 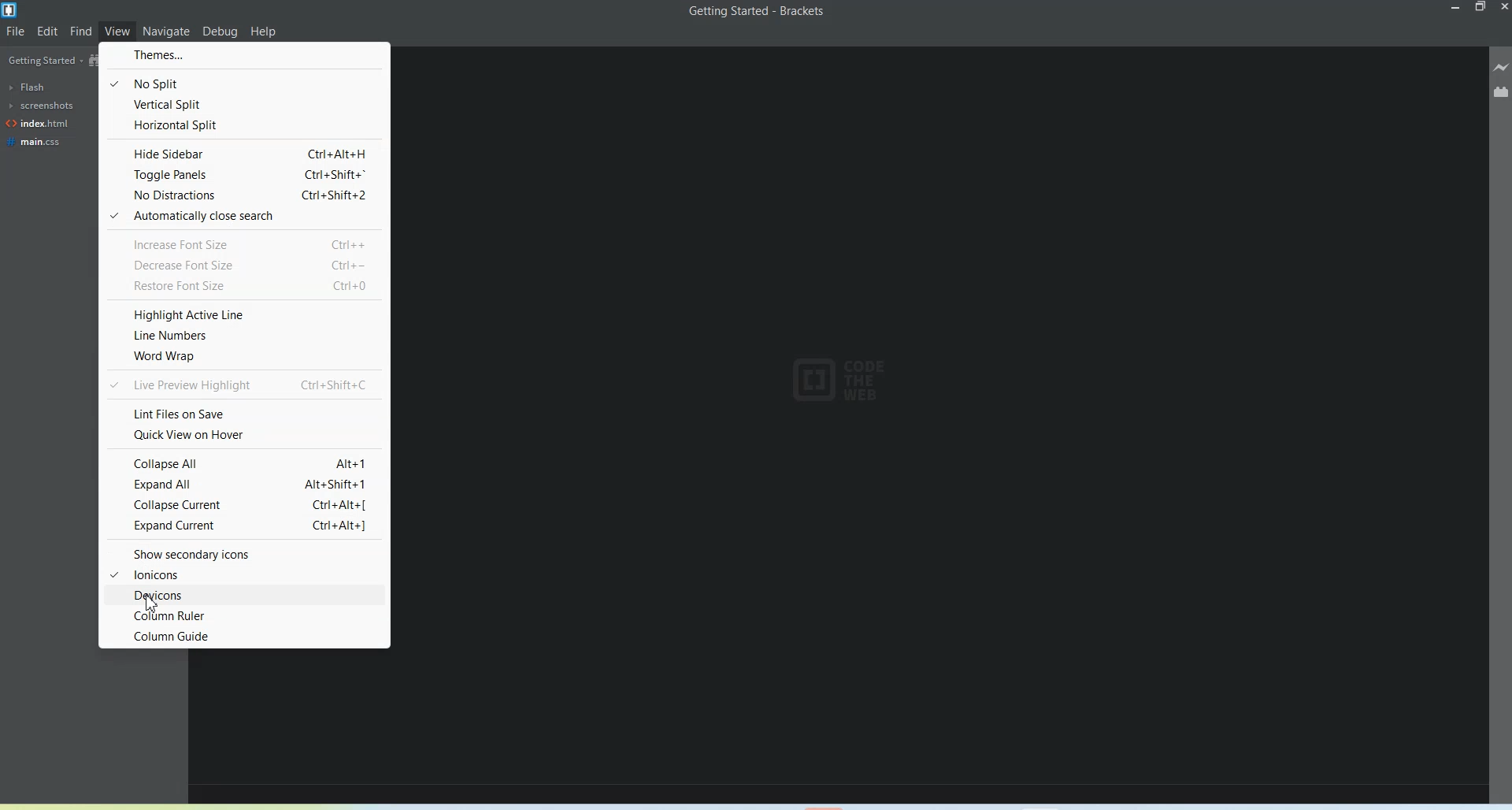 What do you see at coordinates (1503, 7) in the screenshot?
I see `Close` at bounding box center [1503, 7].